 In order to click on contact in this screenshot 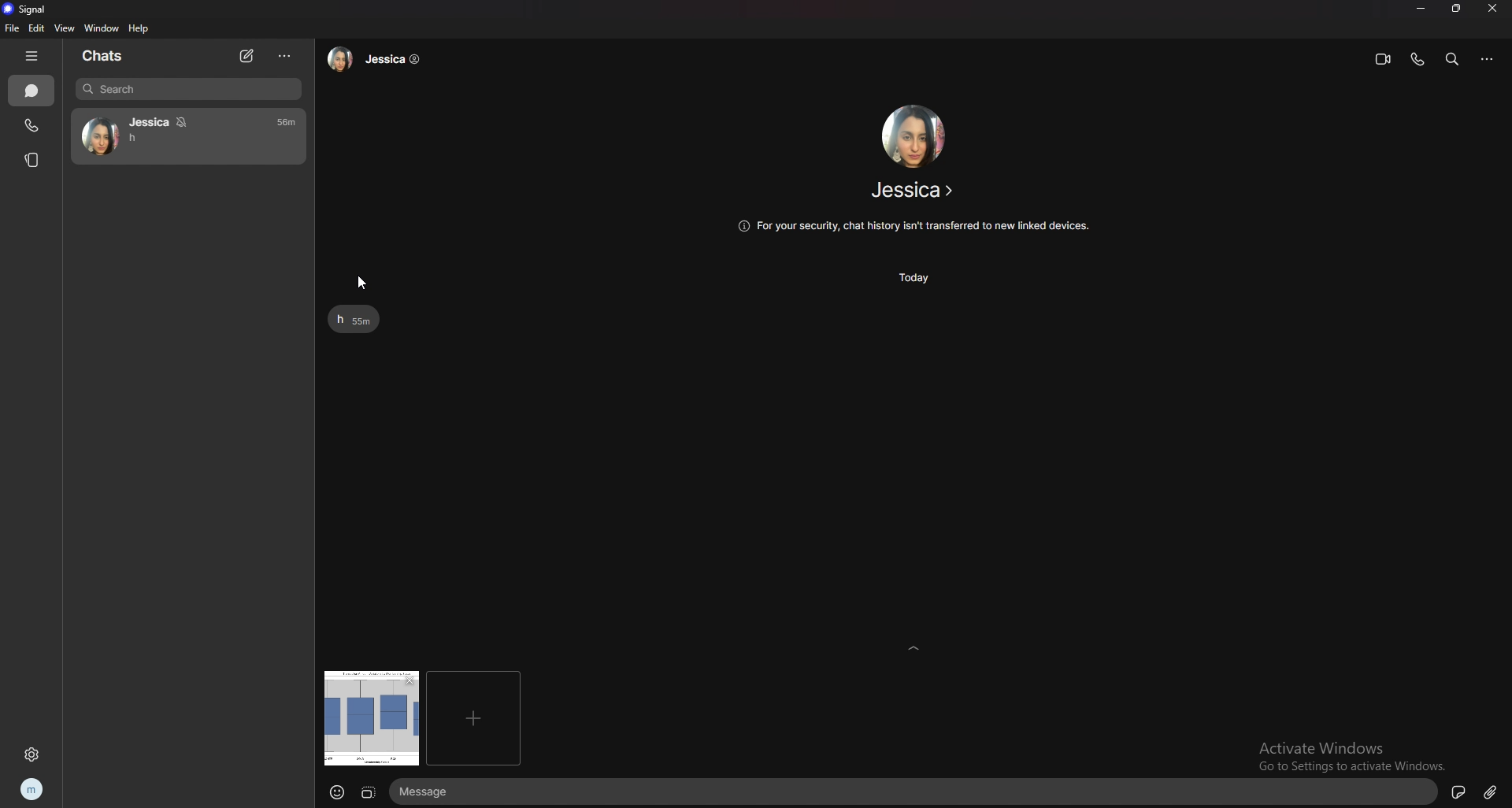, I will do `click(188, 136)`.